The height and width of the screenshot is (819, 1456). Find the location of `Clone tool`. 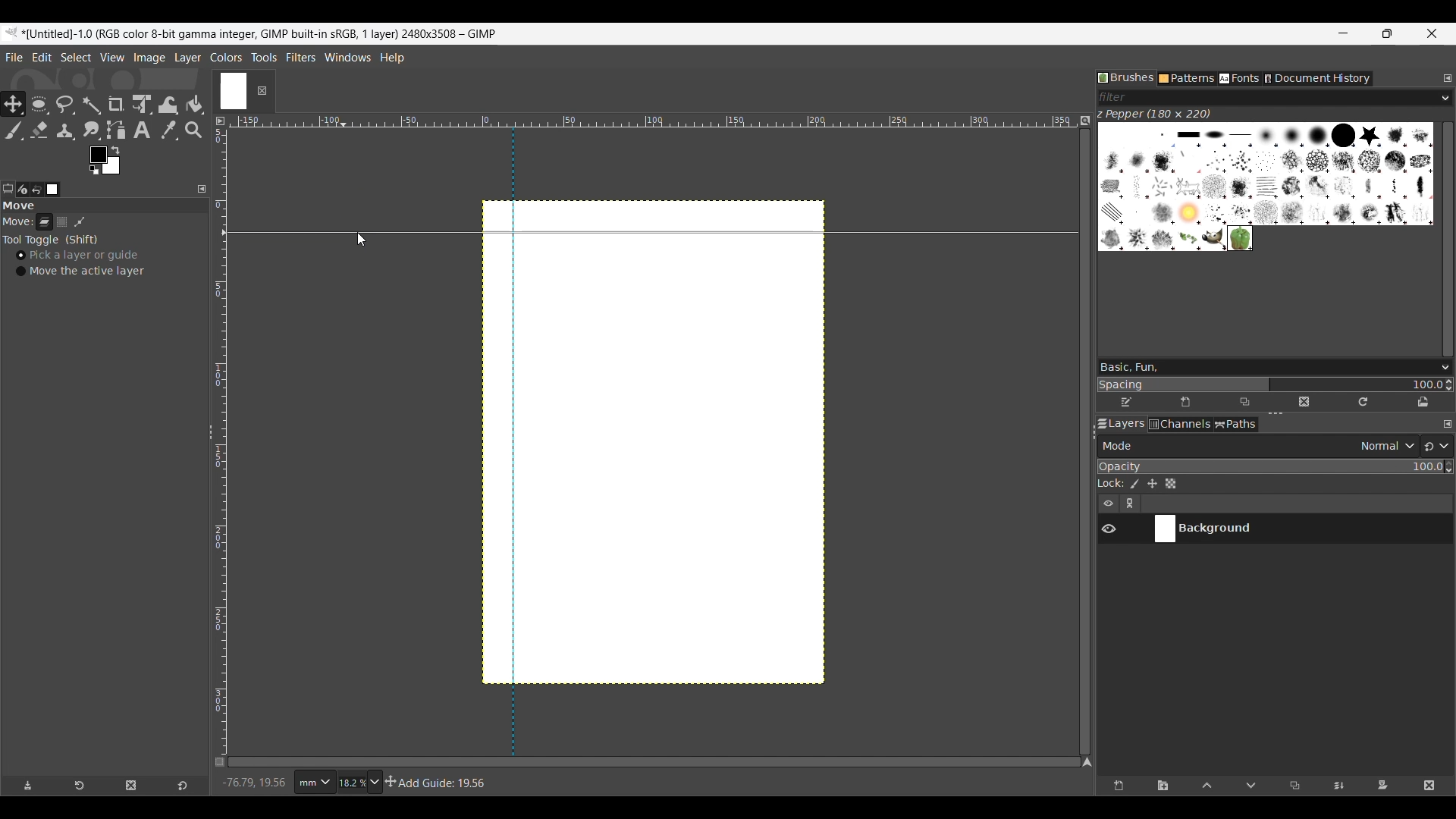

Clone tool is located at coordinates (66, 131).